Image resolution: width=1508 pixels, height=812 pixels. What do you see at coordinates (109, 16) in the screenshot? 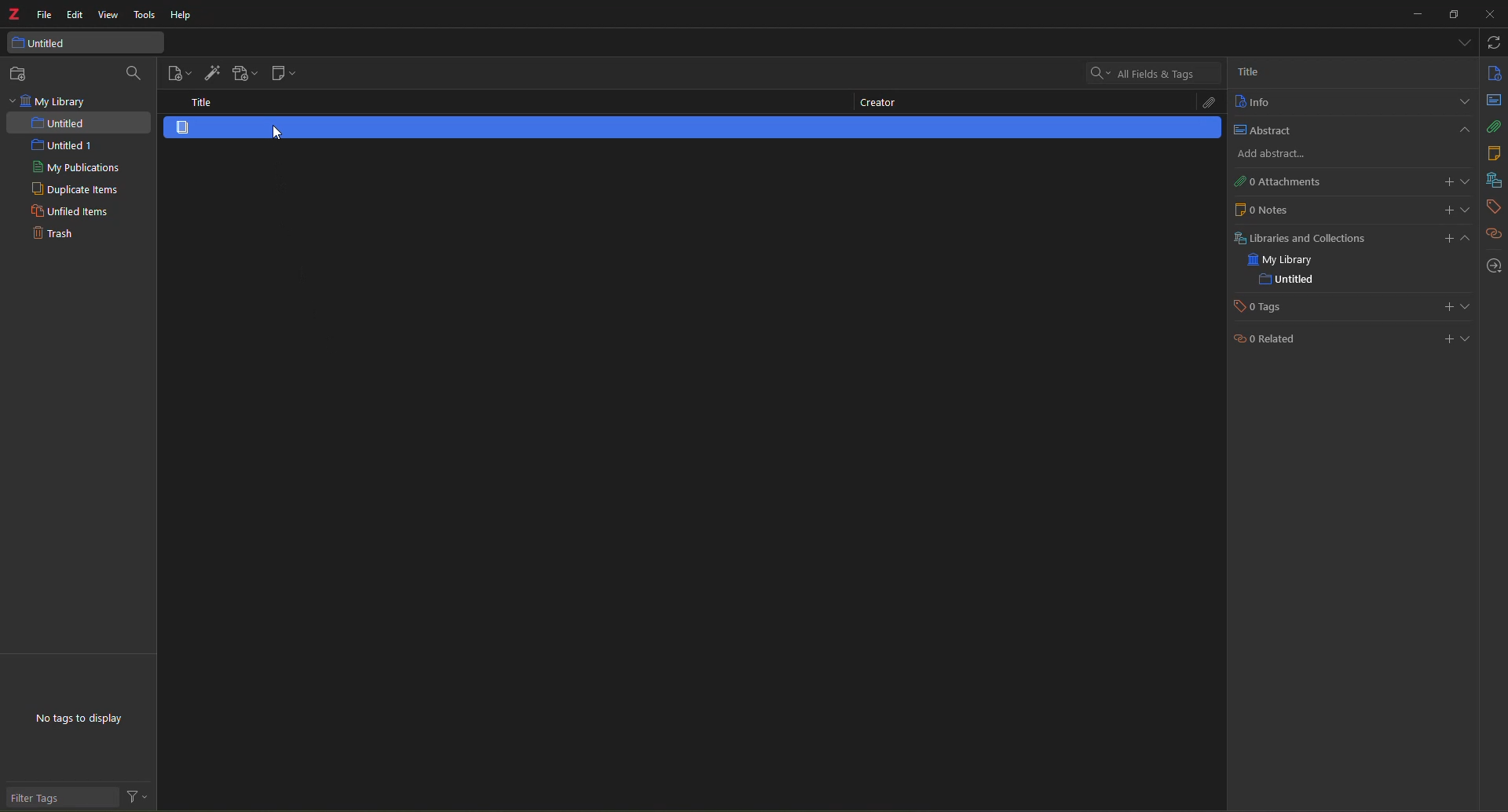
I see `view` at bounding box center [109, 16].